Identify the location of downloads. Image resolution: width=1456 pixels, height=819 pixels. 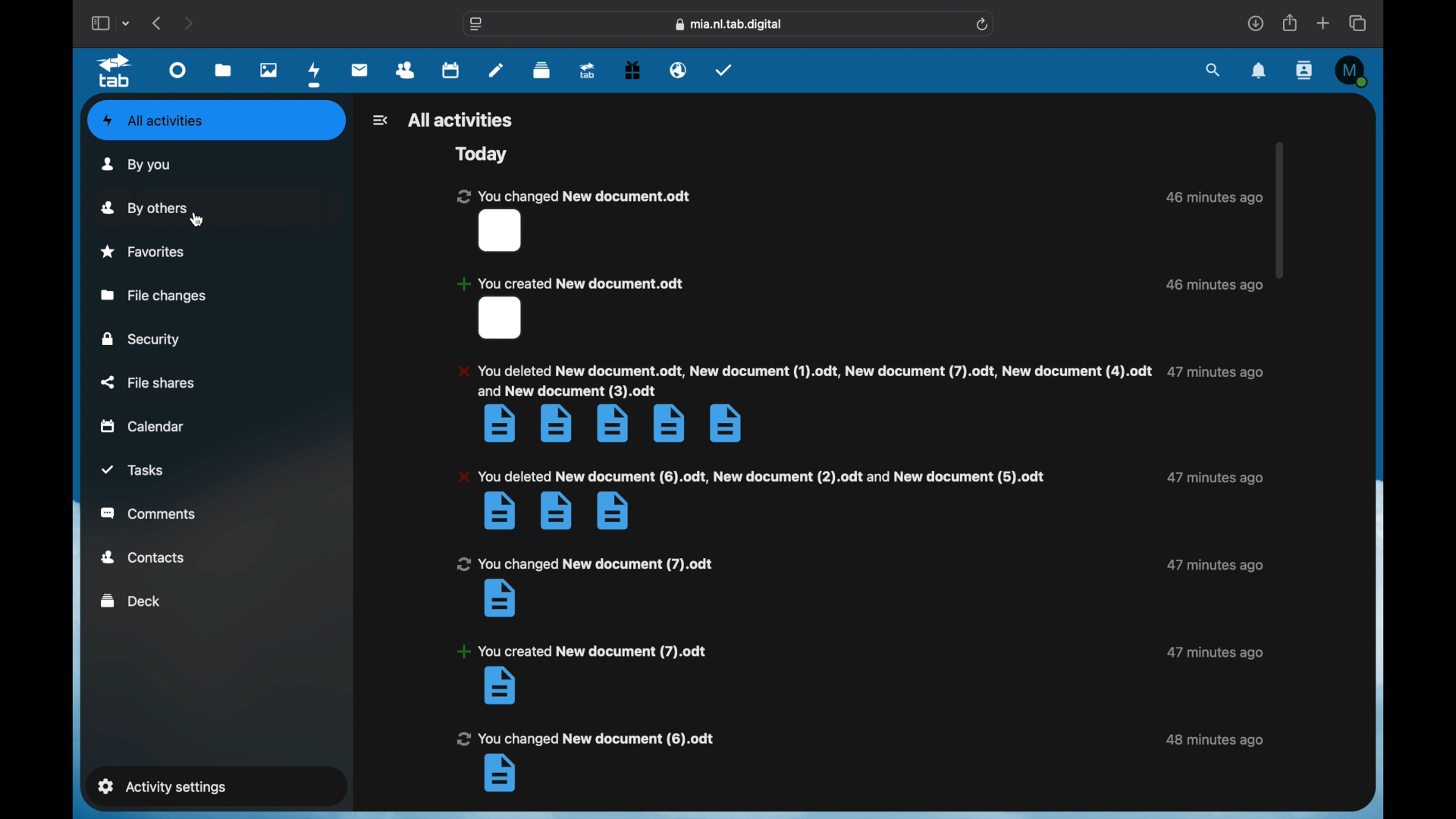
(1255, 23).